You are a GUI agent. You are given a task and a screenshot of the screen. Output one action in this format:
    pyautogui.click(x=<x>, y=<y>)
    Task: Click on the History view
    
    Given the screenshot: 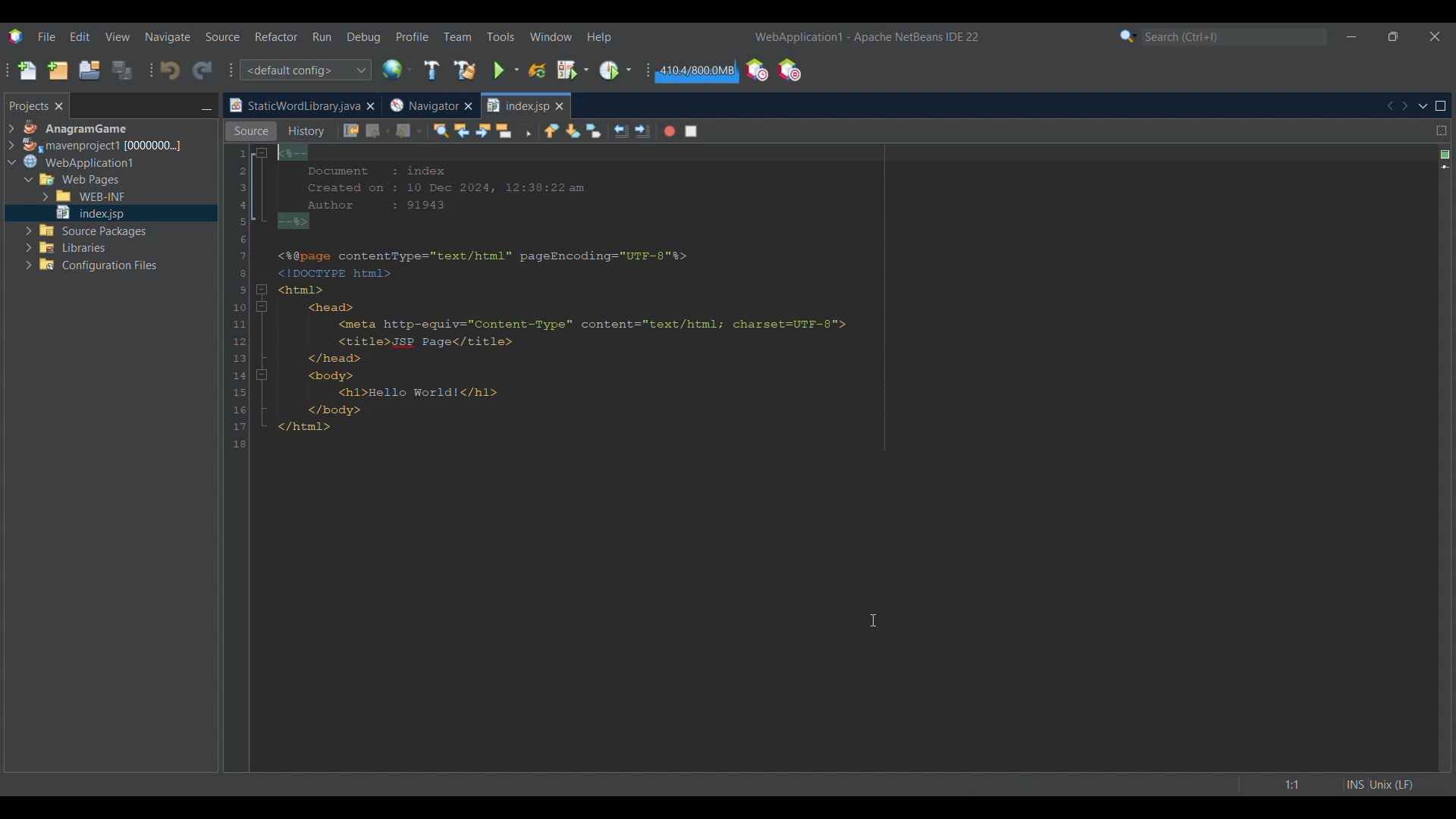 What is the action you would take?
    pyautogui.click(x=308, y=131)
    